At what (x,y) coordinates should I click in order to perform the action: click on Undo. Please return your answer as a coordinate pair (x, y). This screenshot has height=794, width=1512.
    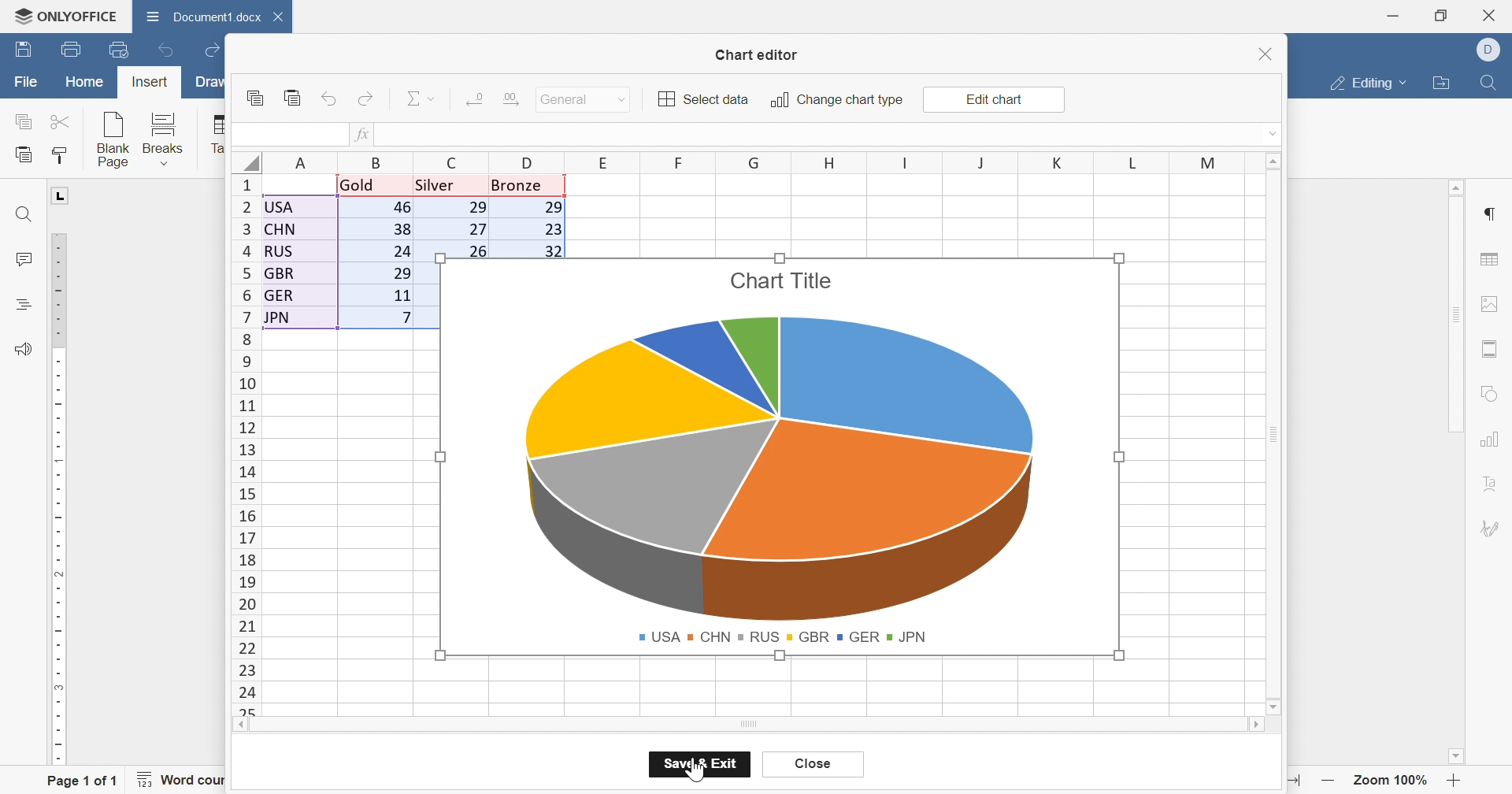
    Looking at the image, I should click on (329, 98).